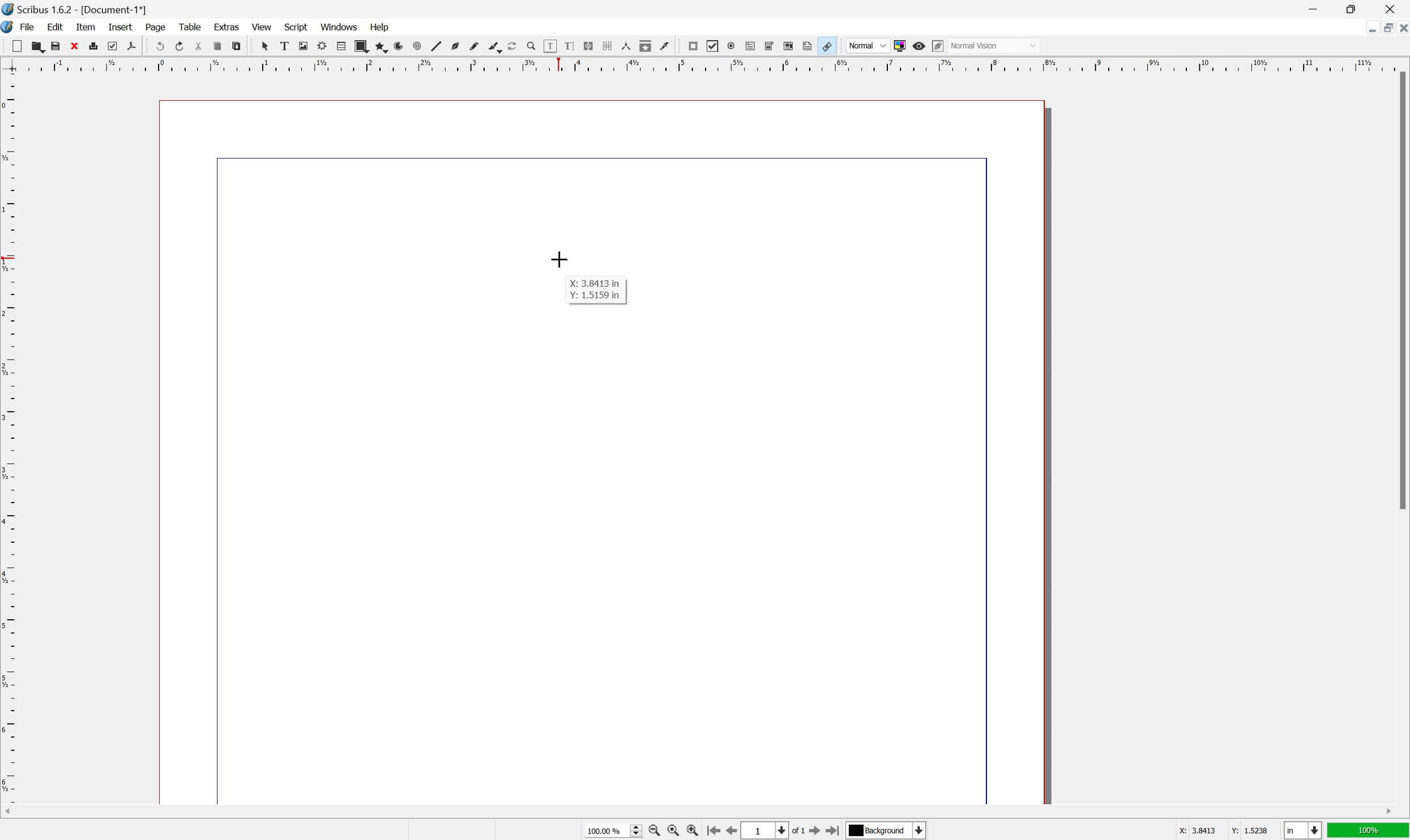 This screenshot has width=1410, height=840. Describe the element at coordinates (835, 830) in the screenshot. I see `go to last page` at that location.